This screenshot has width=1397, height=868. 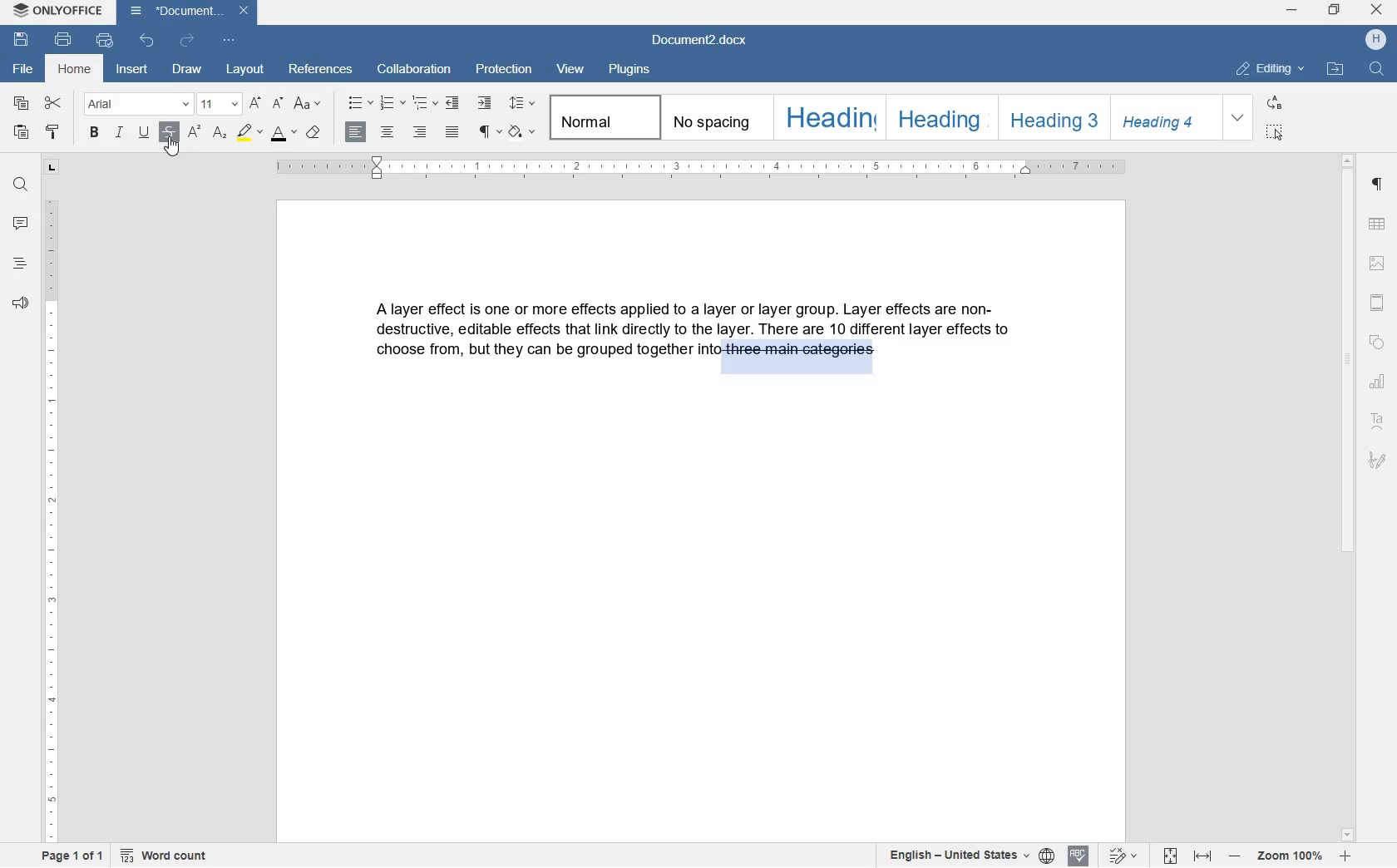 What do you see at coordinates (95, 132) in the screenshot?
I see `bold ` at bounding box center [95, 132].